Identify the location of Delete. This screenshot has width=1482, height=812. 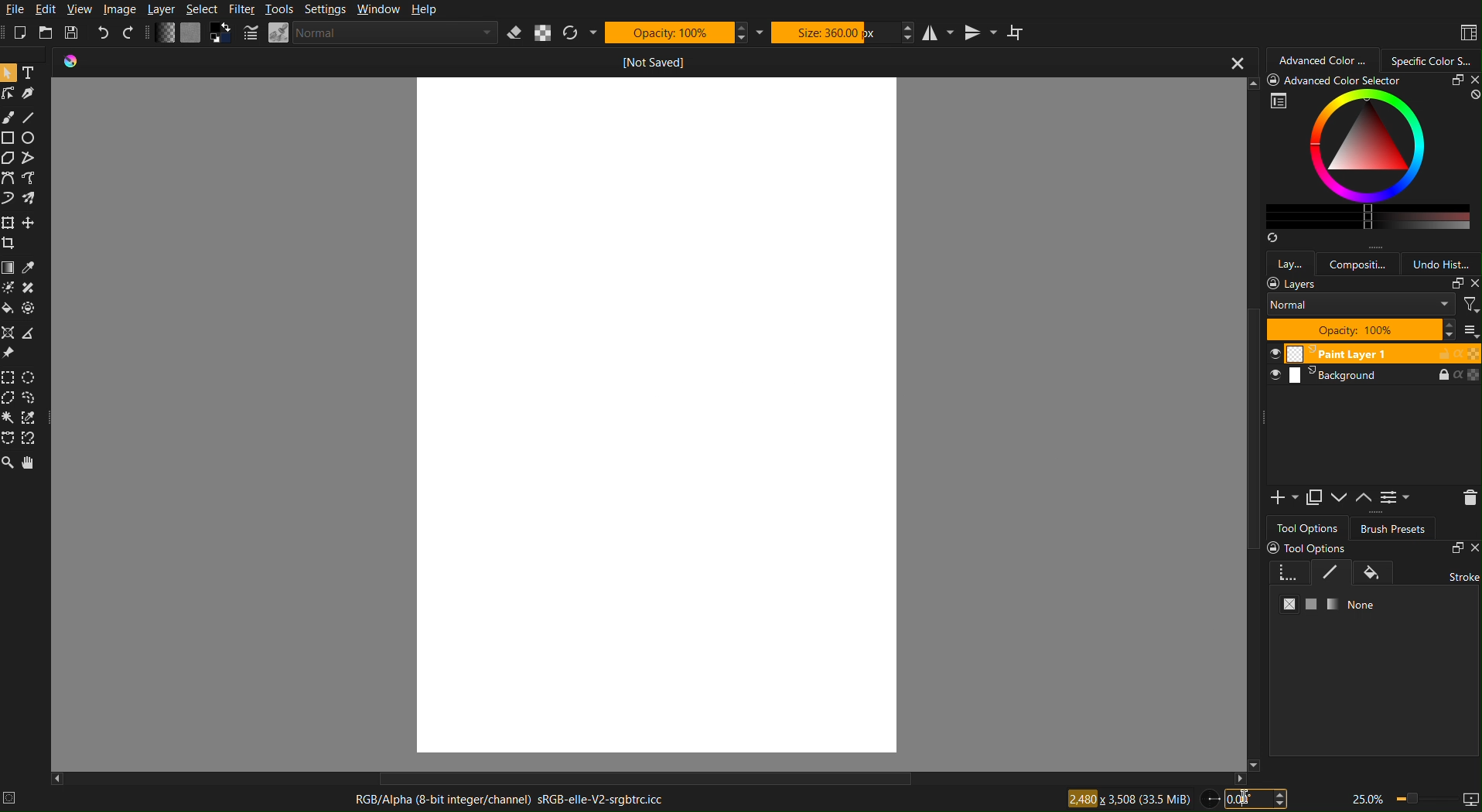
(1467, 498).